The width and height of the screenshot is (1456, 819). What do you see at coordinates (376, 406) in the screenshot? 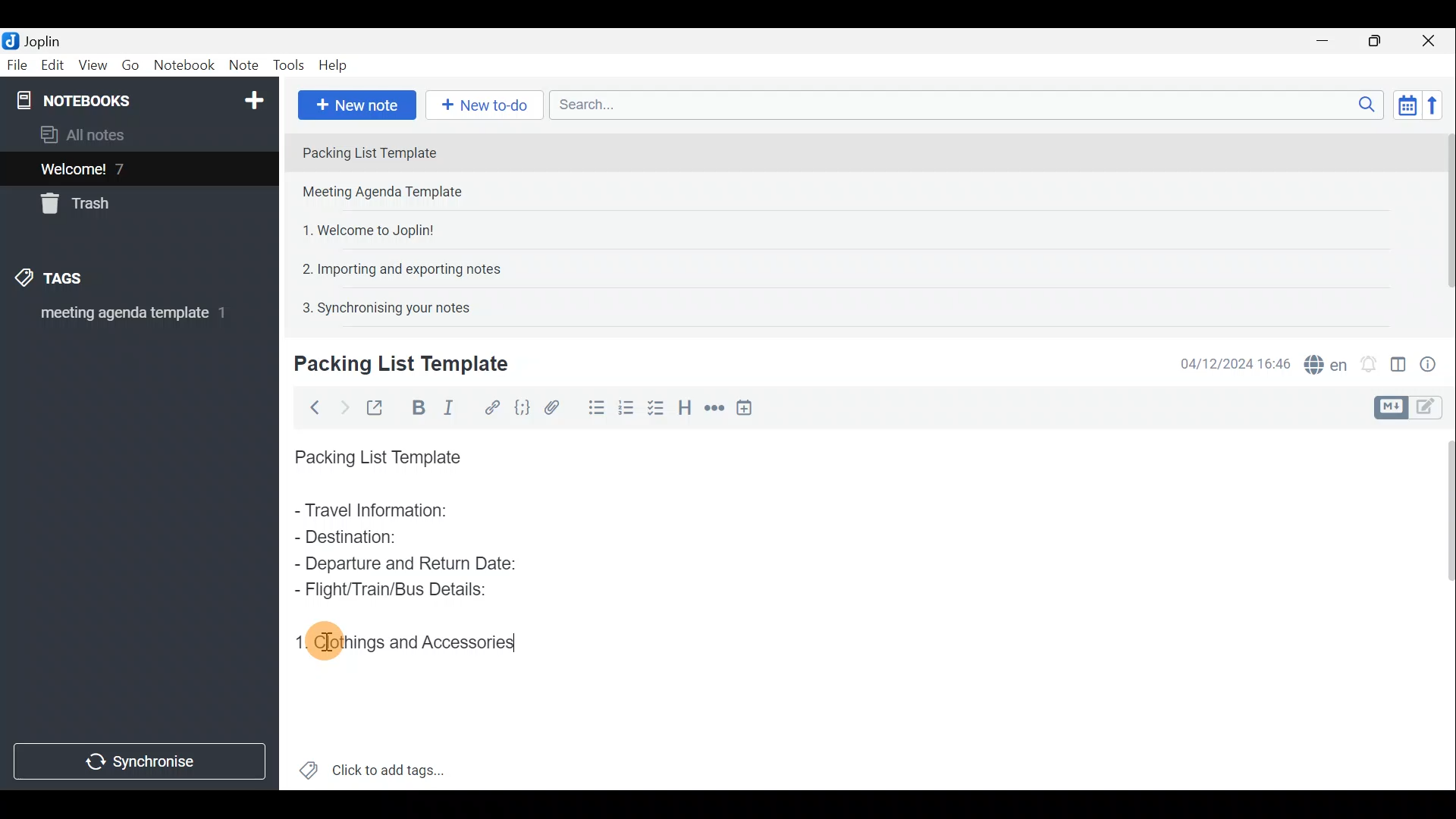
I see `Toggle external editing` at bounding box center [376, 406].